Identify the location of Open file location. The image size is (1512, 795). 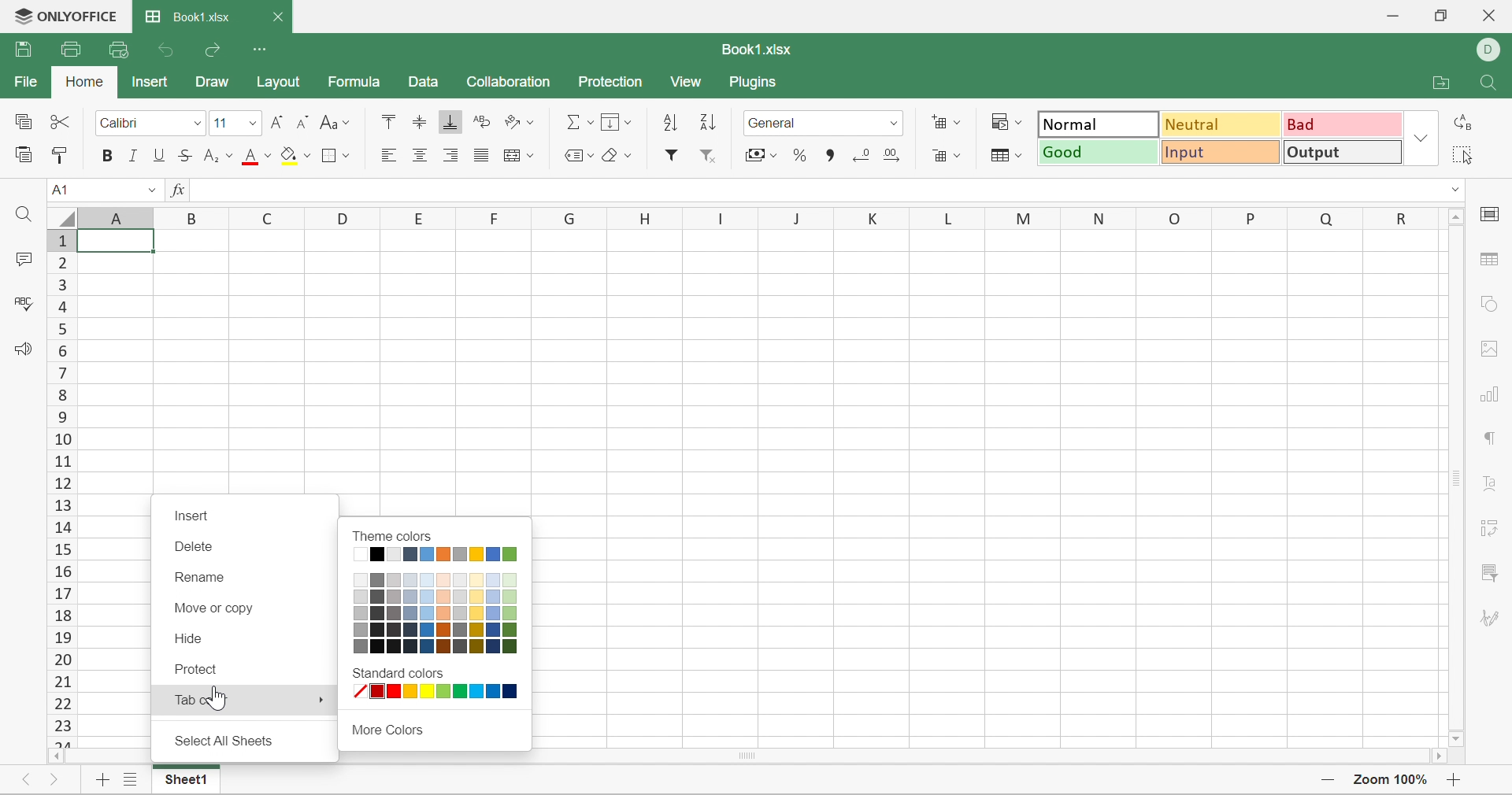
(1440, 83).